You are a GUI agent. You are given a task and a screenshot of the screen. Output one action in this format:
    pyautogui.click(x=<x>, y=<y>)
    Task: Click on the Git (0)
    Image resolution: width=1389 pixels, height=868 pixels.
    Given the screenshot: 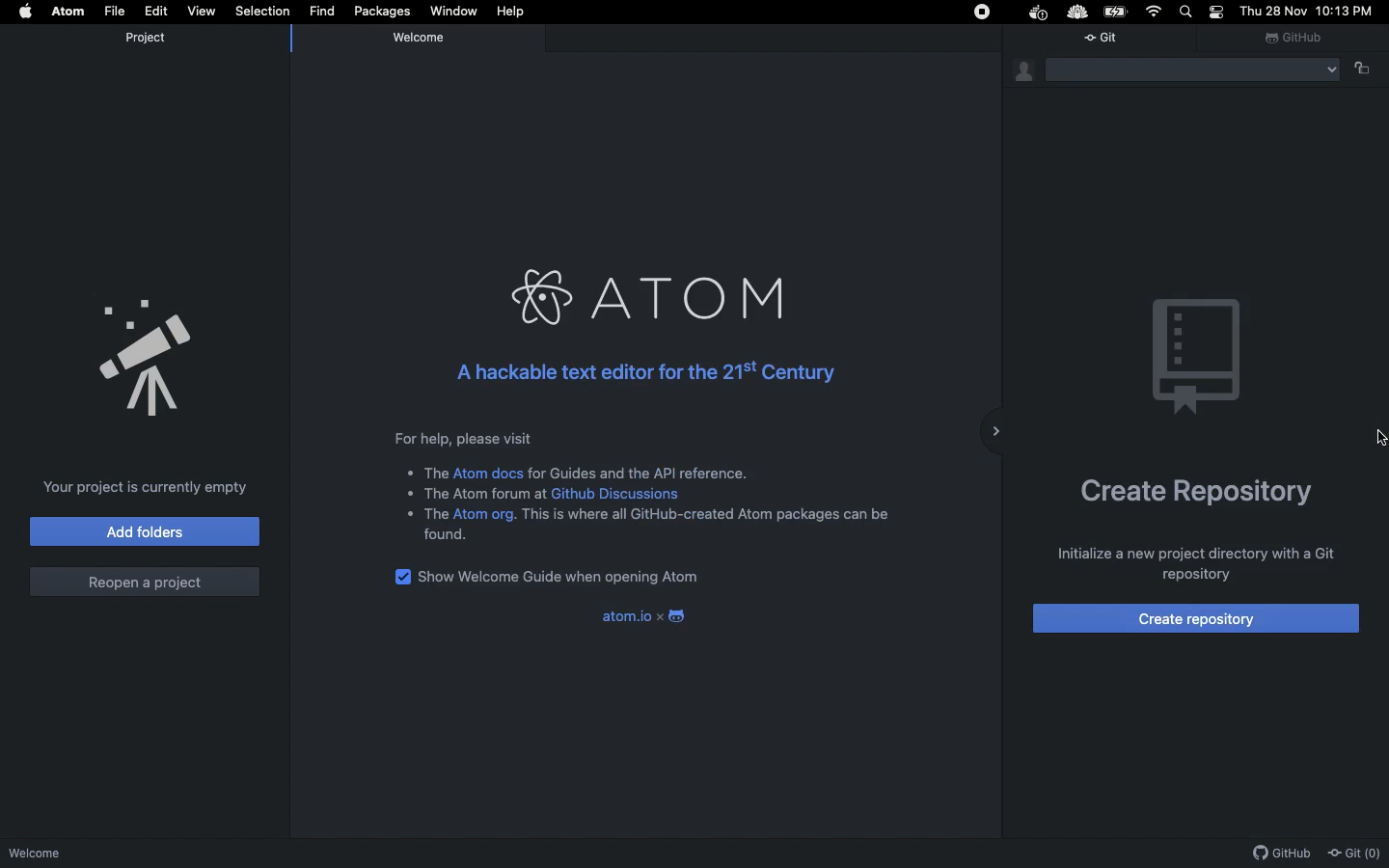 What is the action you would take?
    pyautogui.click(x=1358, y=855)
    